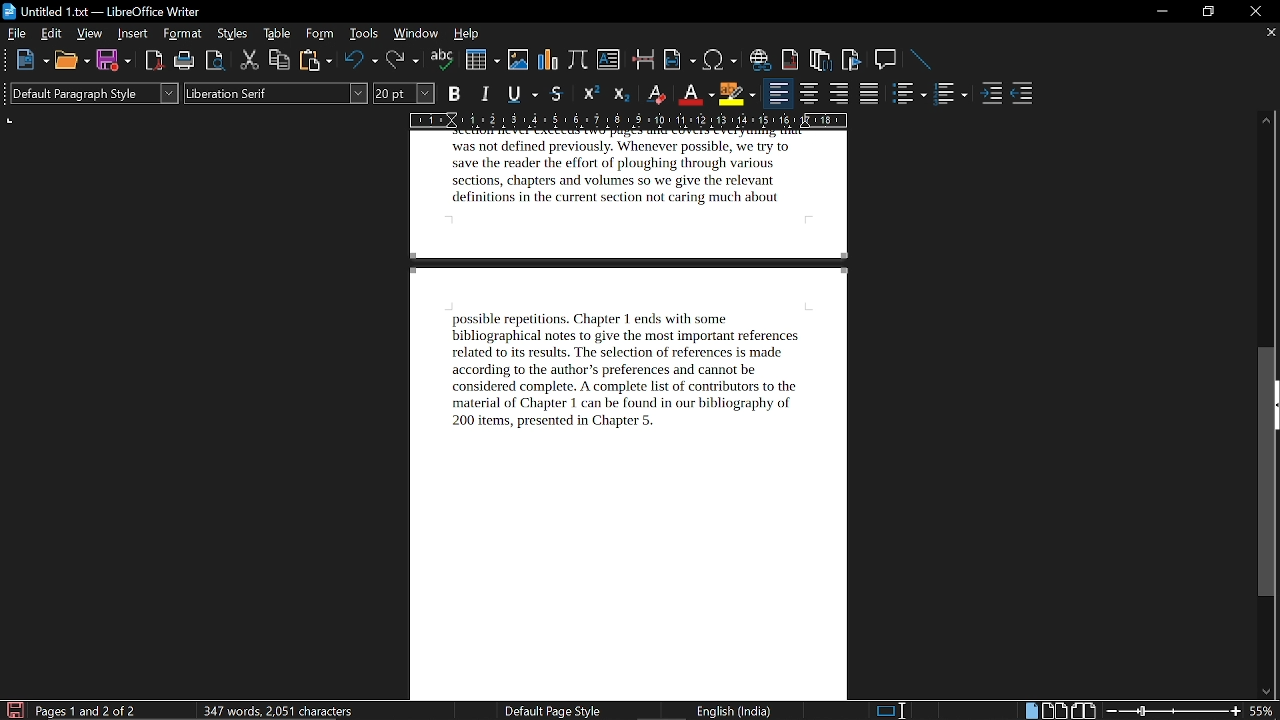 The width and height of the screenshot is (1280, 720). Describe the element at coordinates (16, 34) in the screenshot. I see `file` at that location.